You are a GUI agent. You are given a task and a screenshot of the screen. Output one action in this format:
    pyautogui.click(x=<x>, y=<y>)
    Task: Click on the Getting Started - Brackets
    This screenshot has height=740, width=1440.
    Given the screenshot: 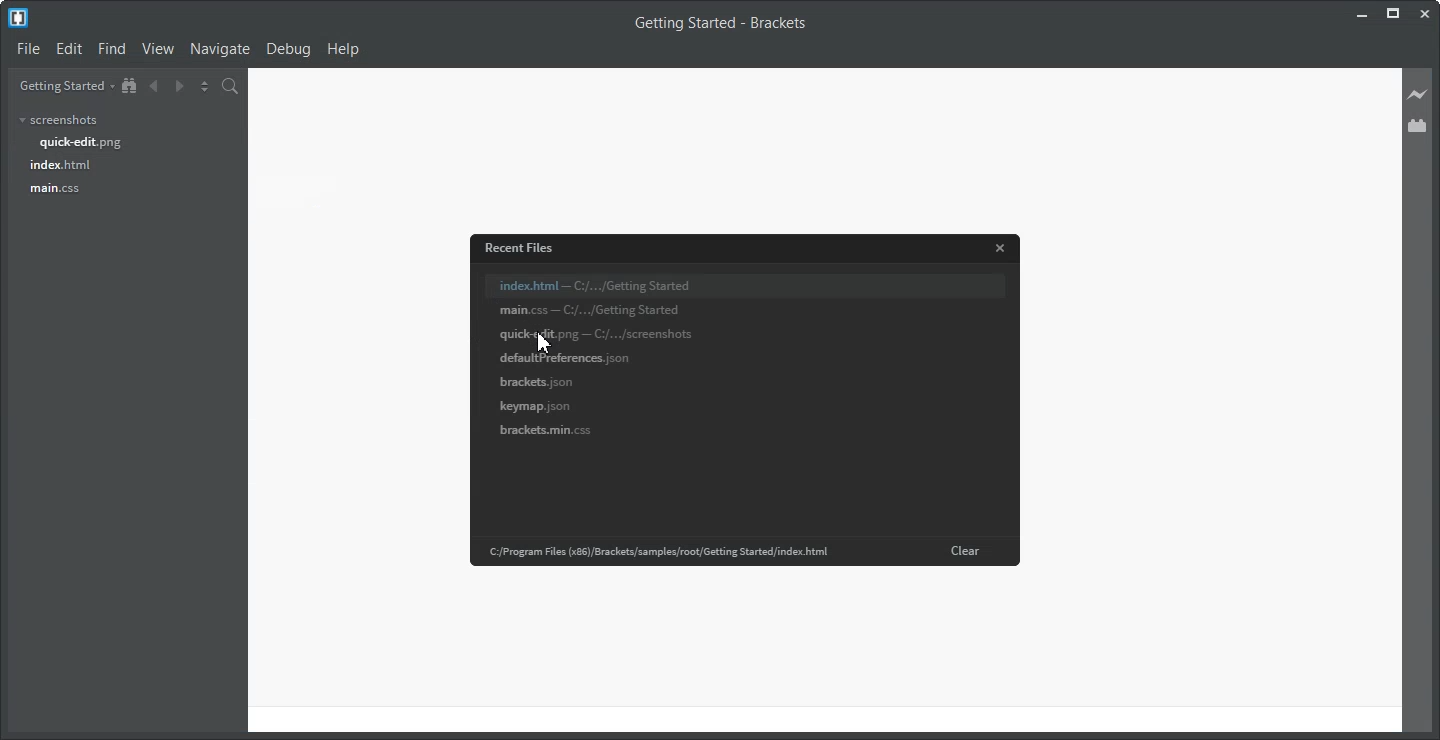 What is the action you would take?
    pyautogui.click(x=721, y=25)
    